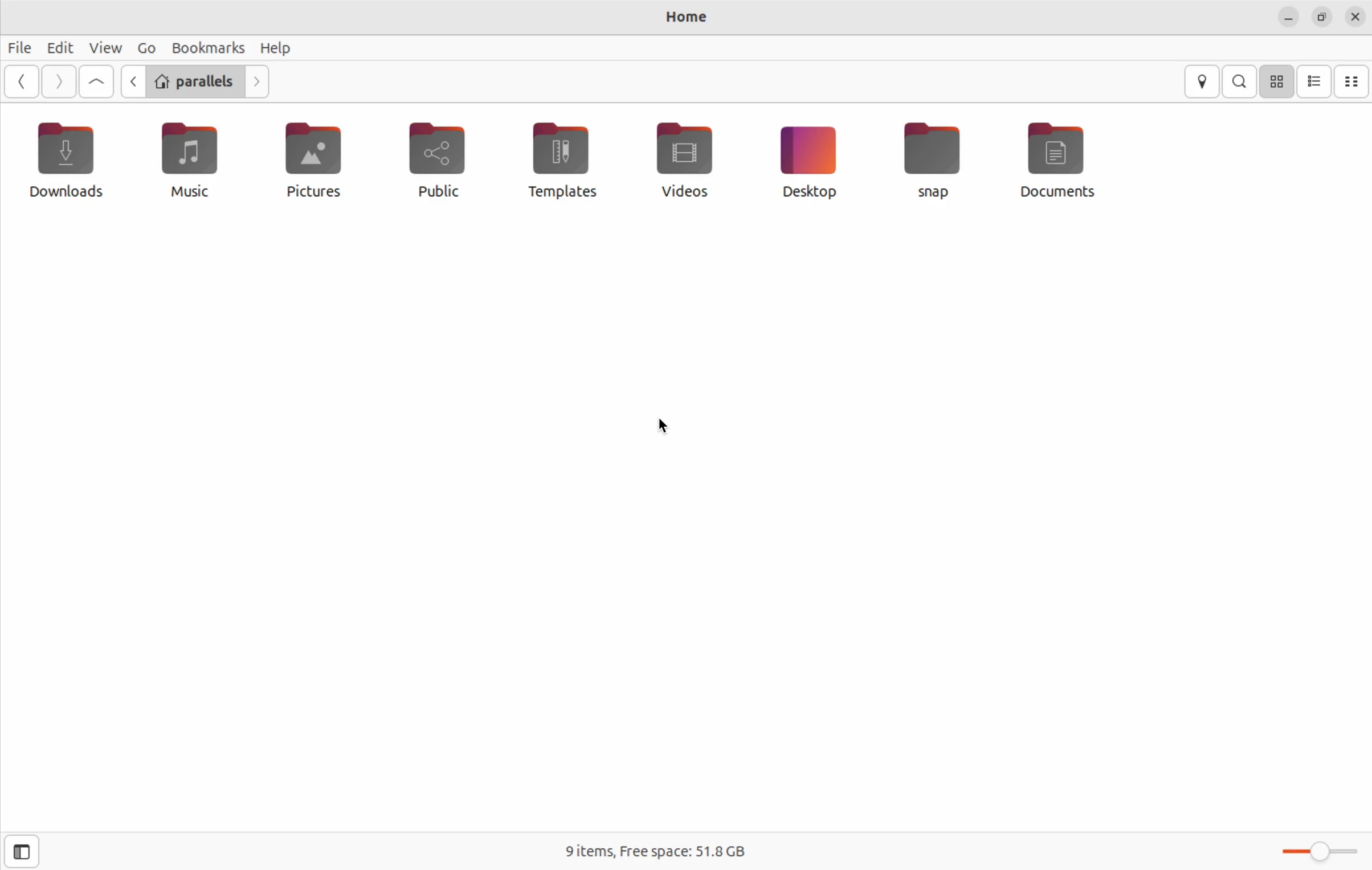  Describe the element at coordinates (1358, 14) in the screenshot. I see `close` at that location.